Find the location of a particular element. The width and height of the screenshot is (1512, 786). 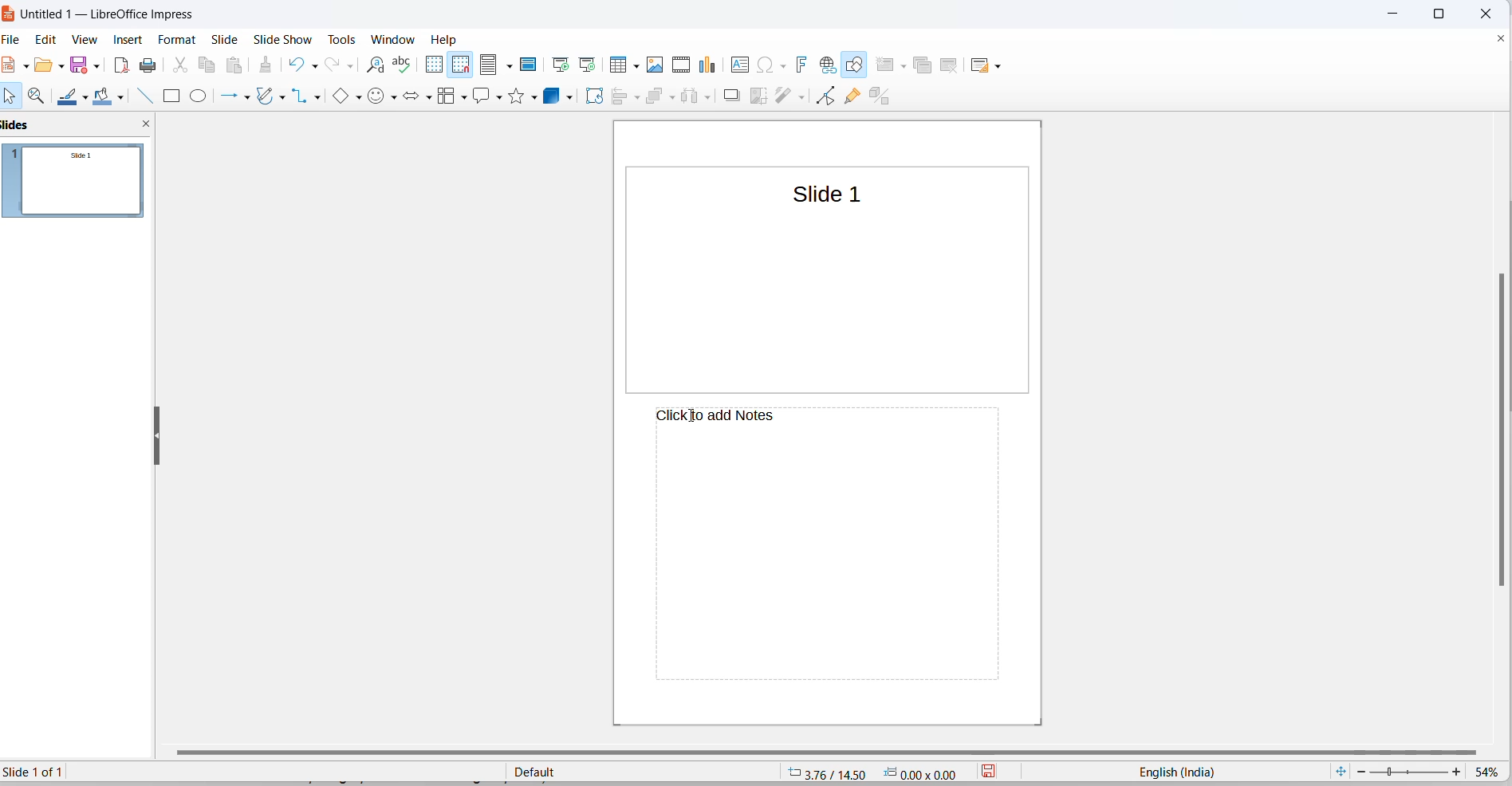

symbol shapes is located at coordinates (376, 97).